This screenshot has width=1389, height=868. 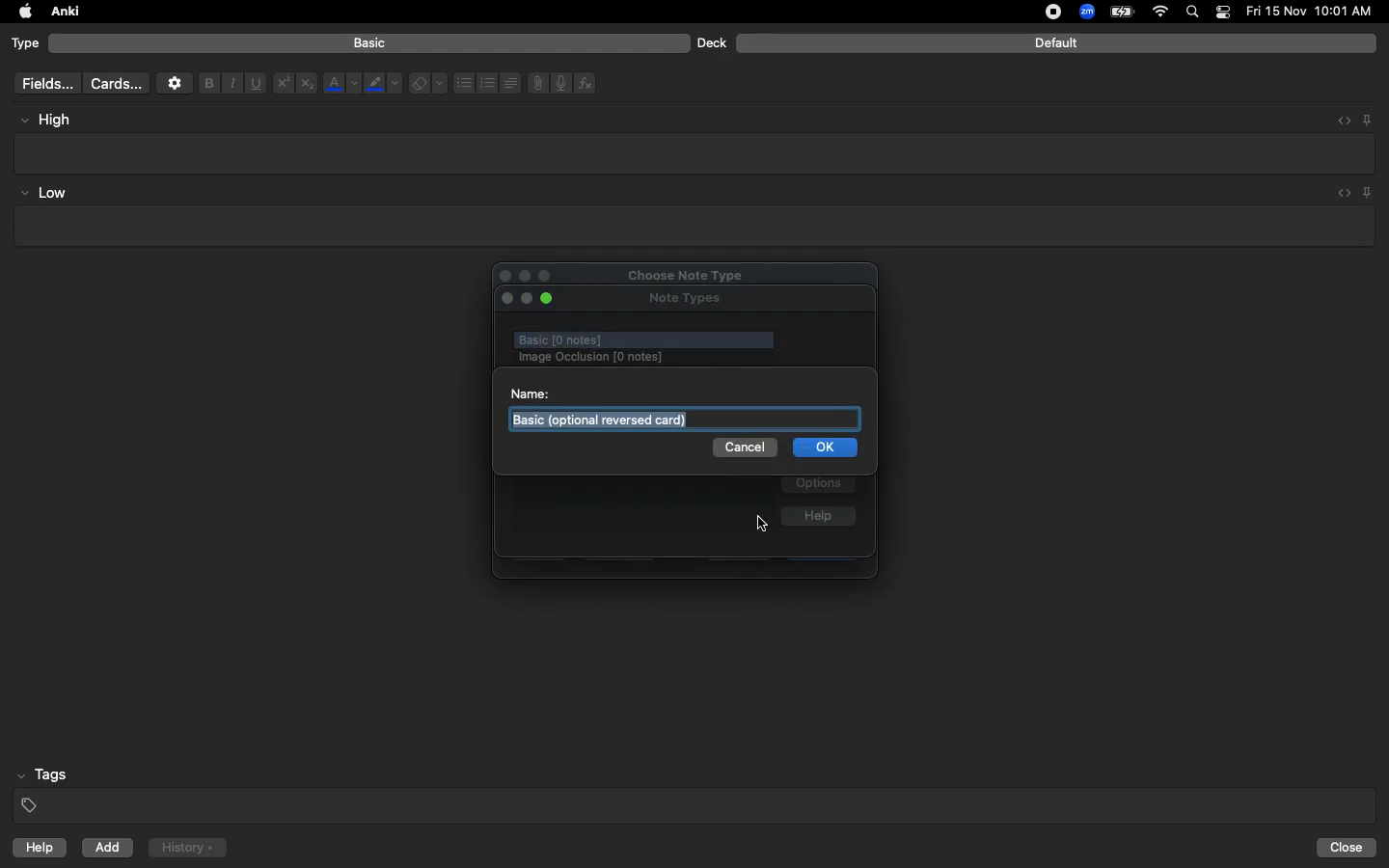 I want to click on Ok, so click(x=828, y=450).